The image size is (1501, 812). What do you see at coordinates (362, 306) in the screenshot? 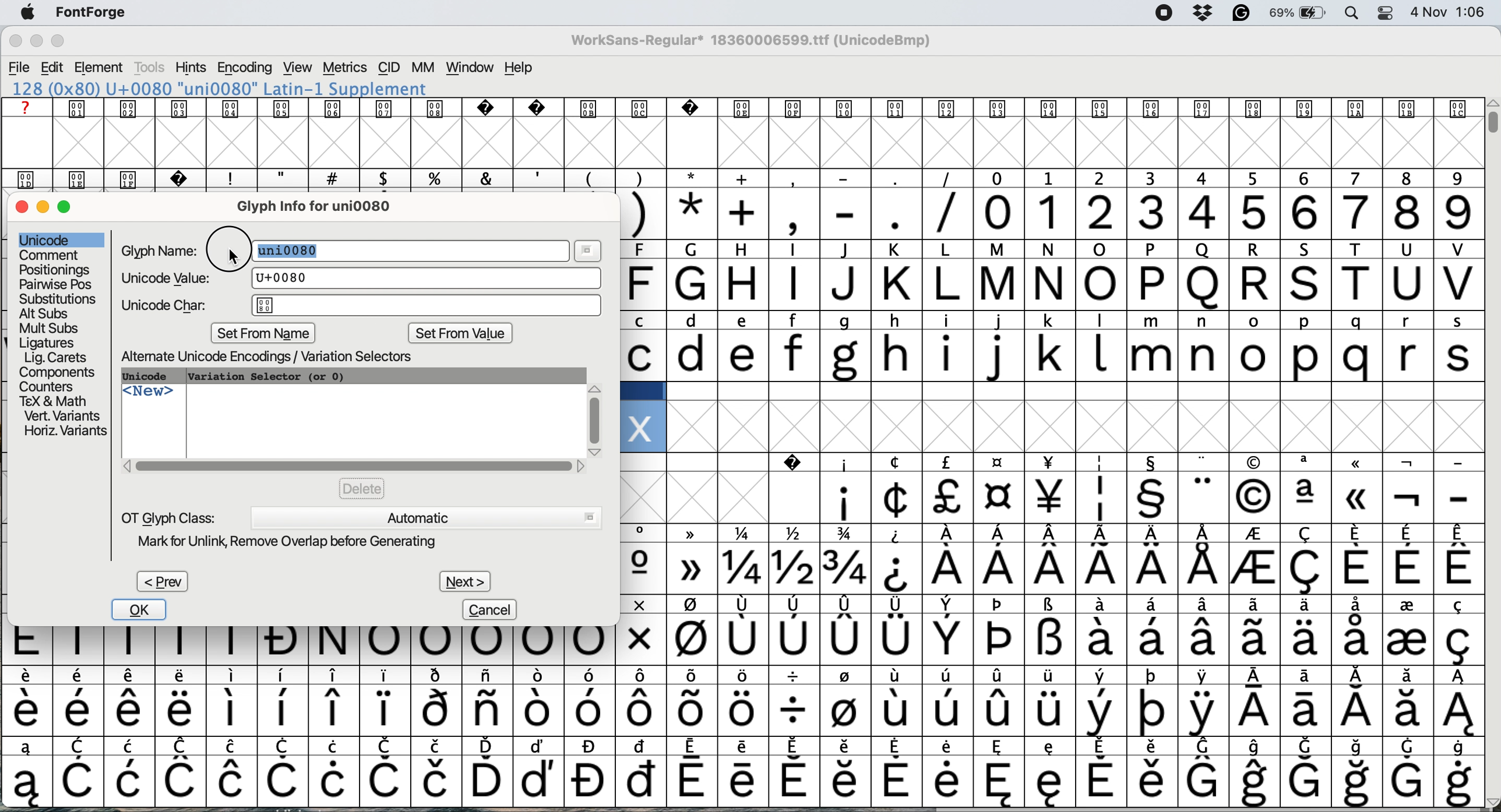
I see `unicode char` at bounding box center [362, 306].